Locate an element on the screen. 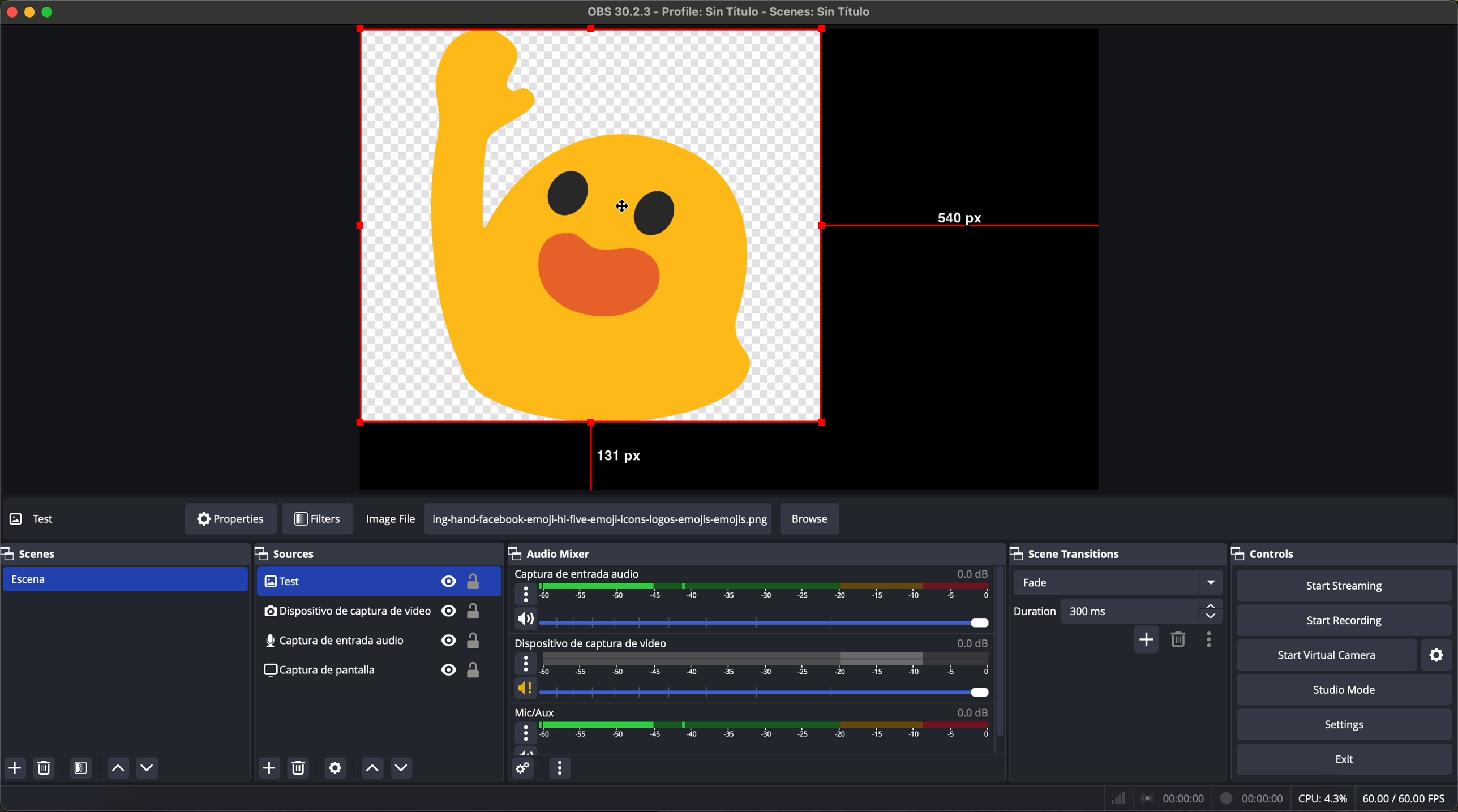 The height and width of the screenshot is (812, 1458). audio mixer menu is located at coordinates (559, 768).